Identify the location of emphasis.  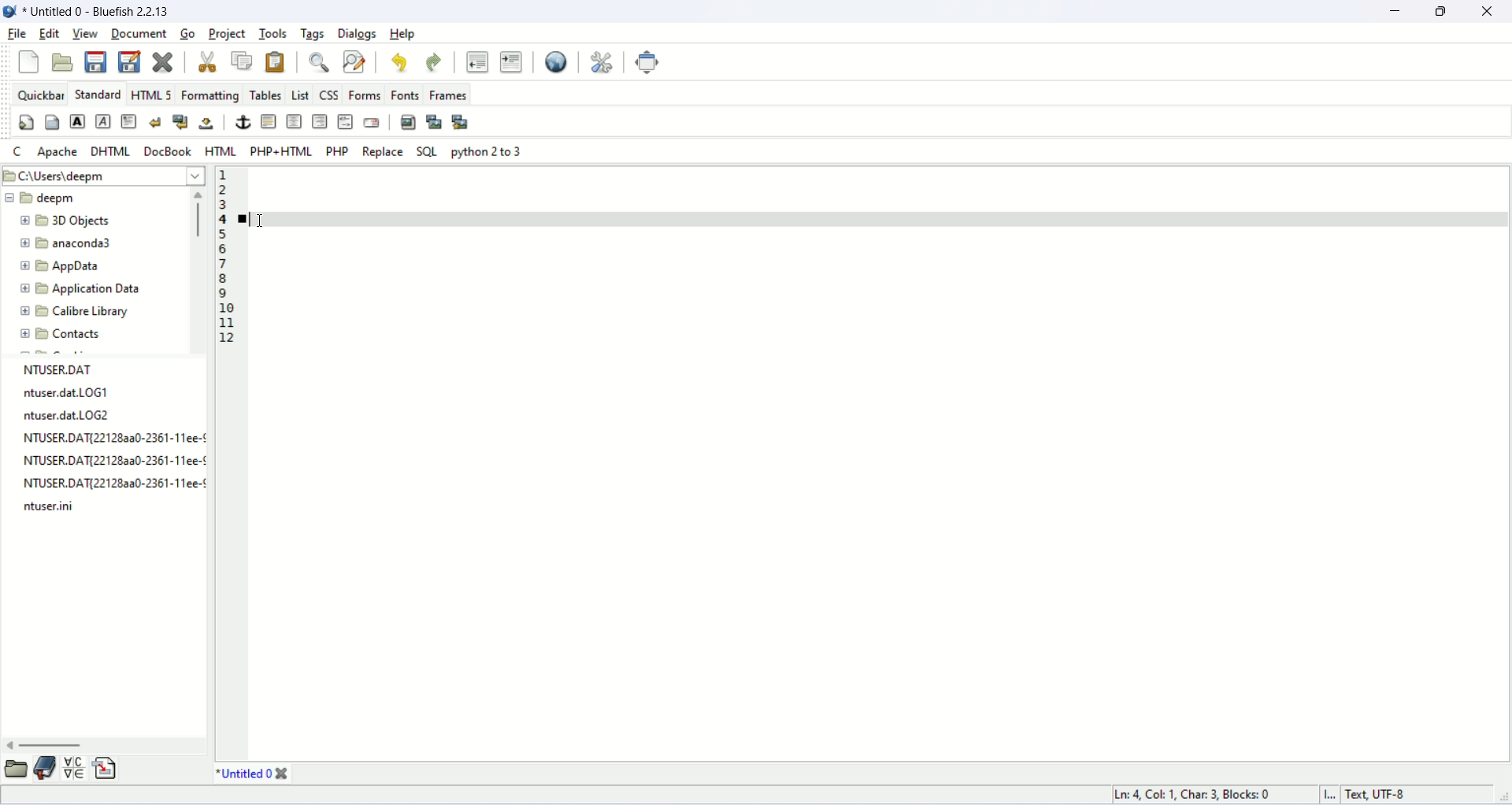
(105, 122).